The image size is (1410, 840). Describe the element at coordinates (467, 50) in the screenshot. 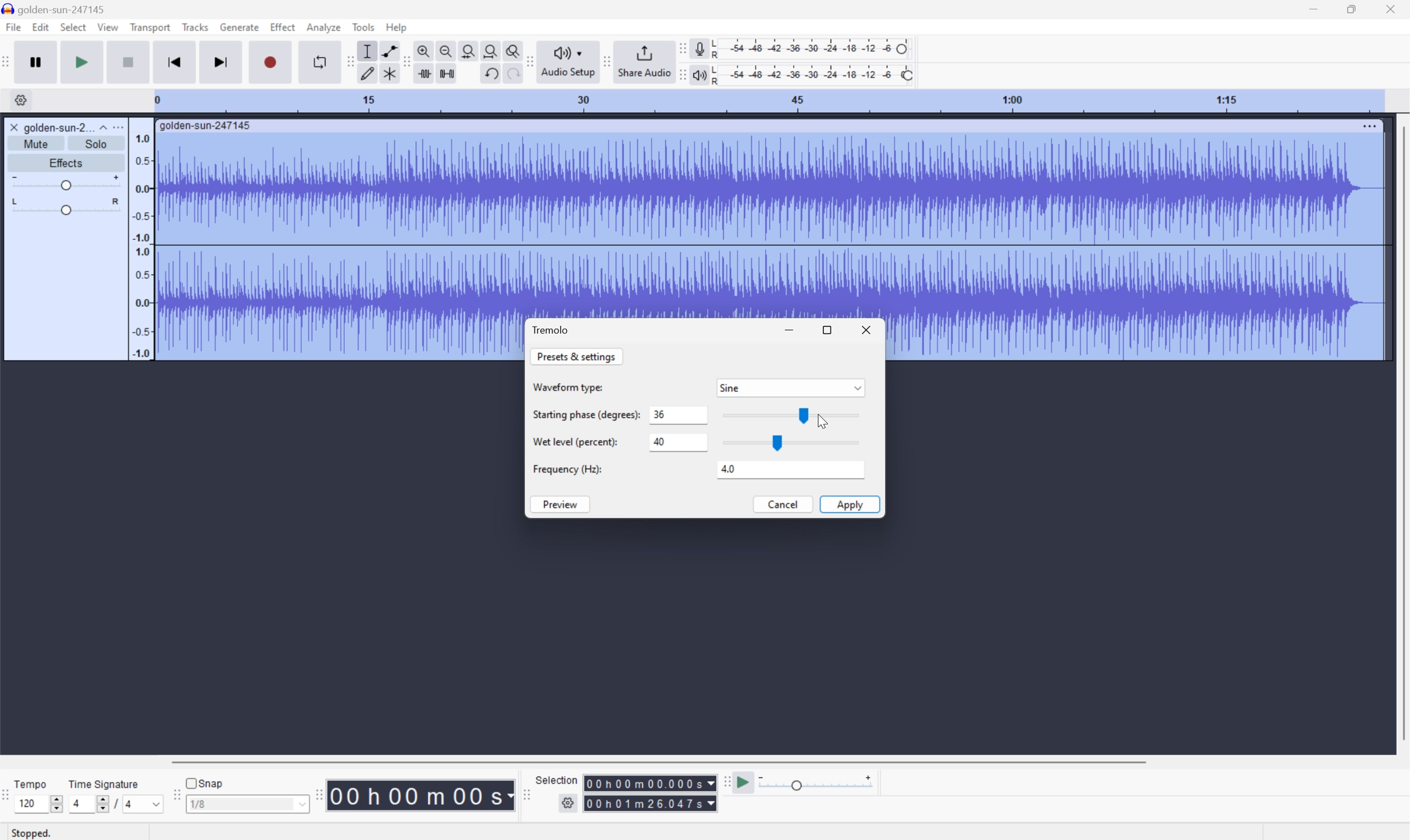

I see `Fit selection to width` at that location.